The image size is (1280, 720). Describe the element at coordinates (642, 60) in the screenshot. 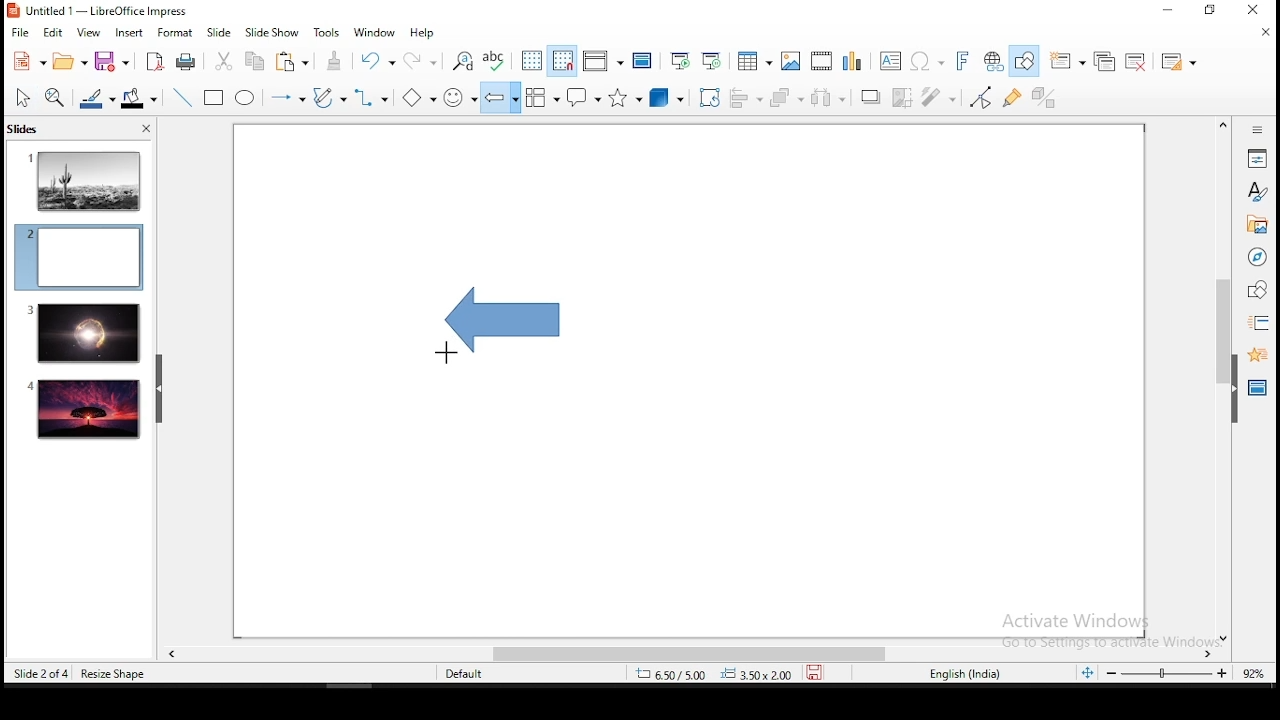

I see `master slide` at that location.